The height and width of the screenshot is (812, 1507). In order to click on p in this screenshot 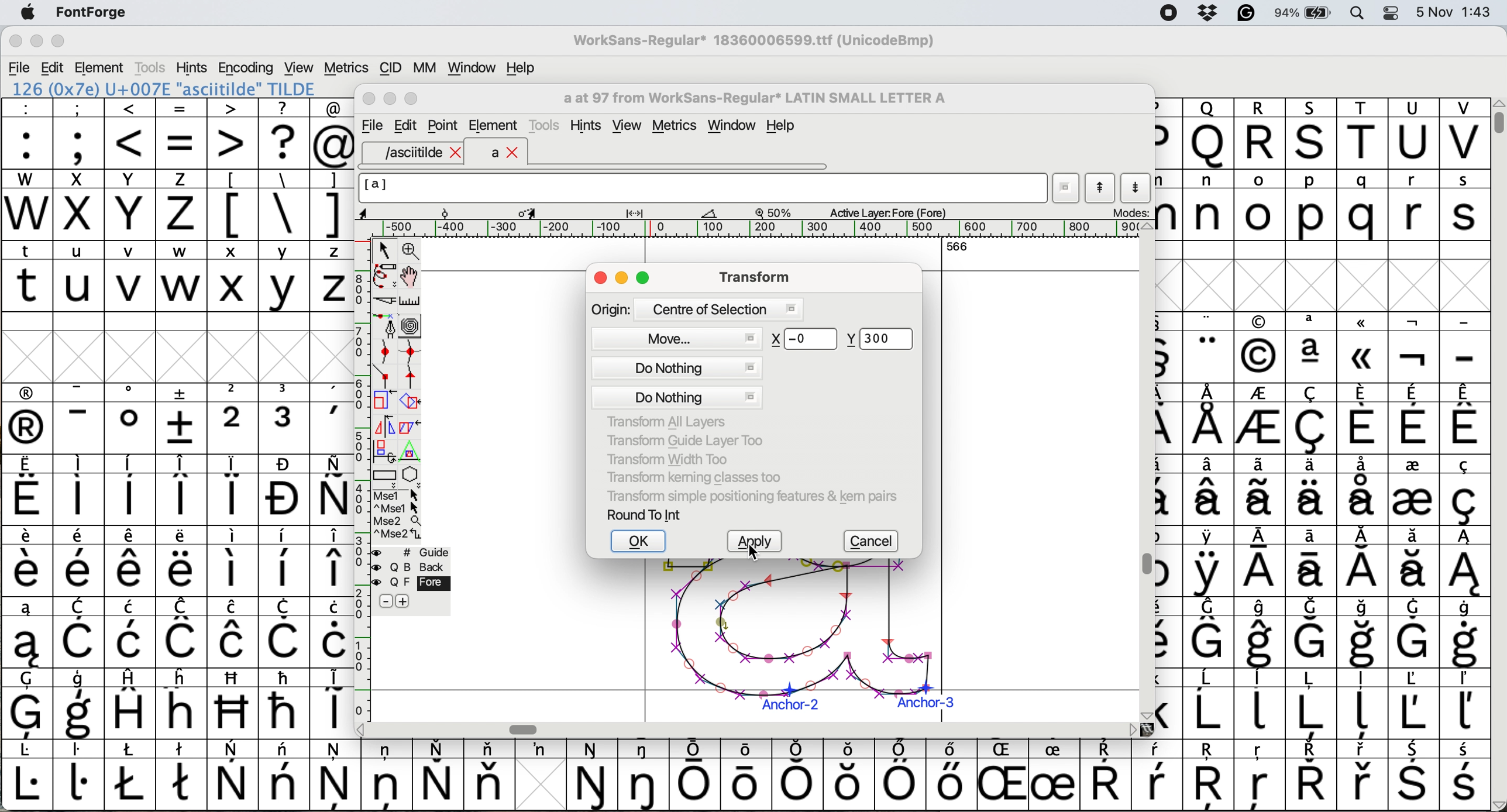, I will do `click(1312, 207)`.